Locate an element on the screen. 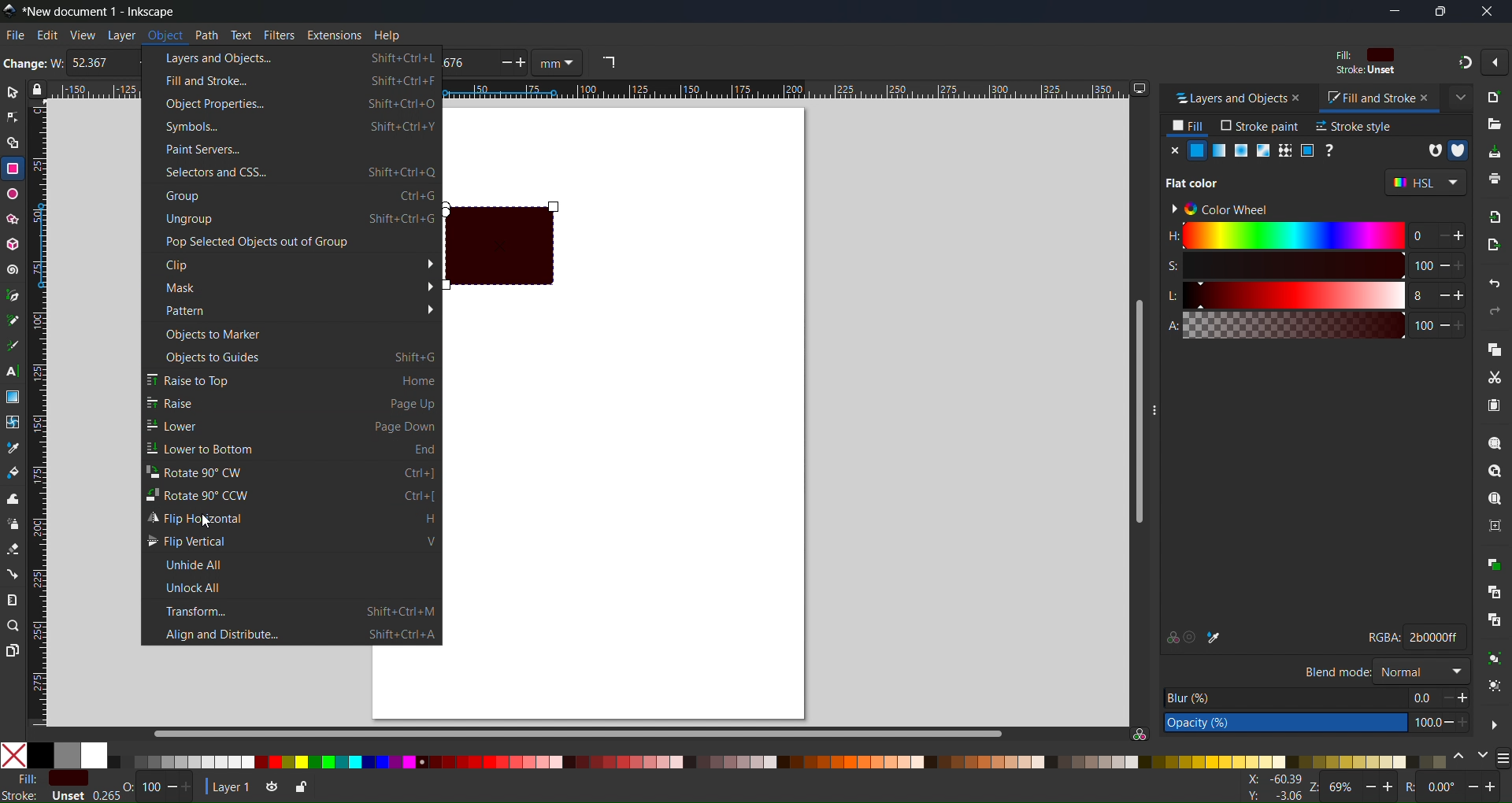  Group is located at coordinates (292, 197).